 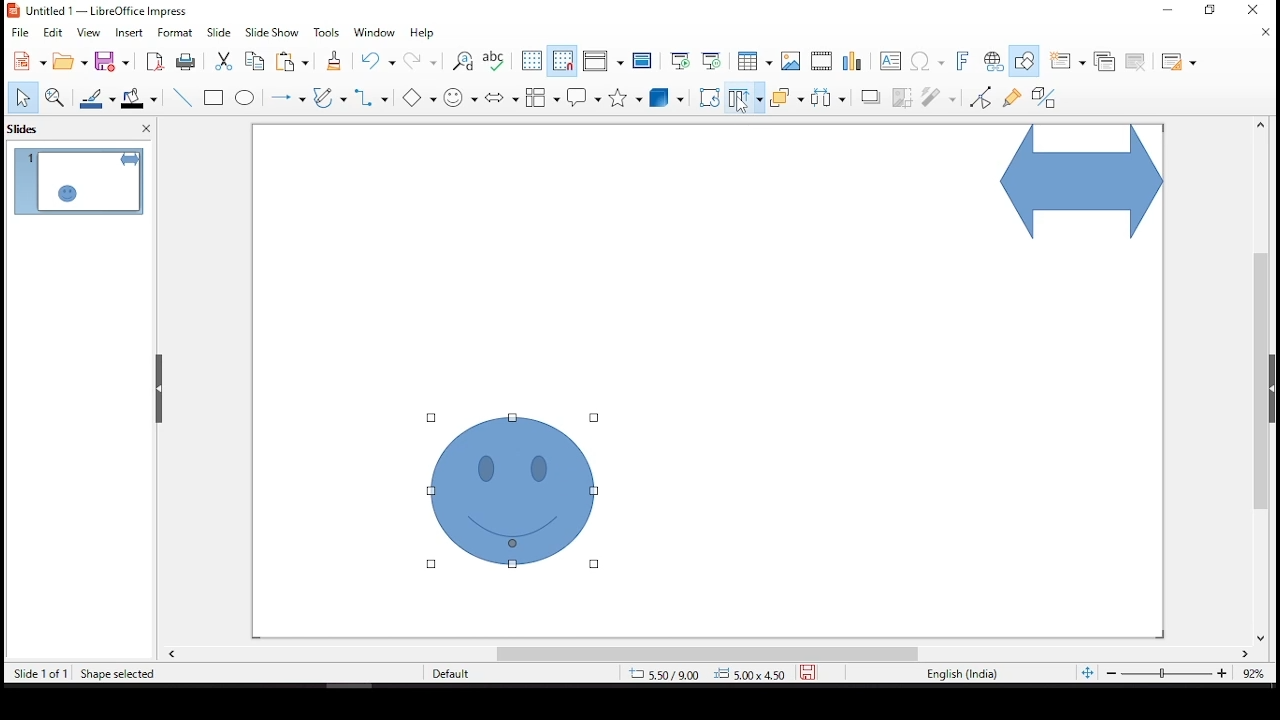 I want to click on zoom slider, so click(x=1165, y=675).